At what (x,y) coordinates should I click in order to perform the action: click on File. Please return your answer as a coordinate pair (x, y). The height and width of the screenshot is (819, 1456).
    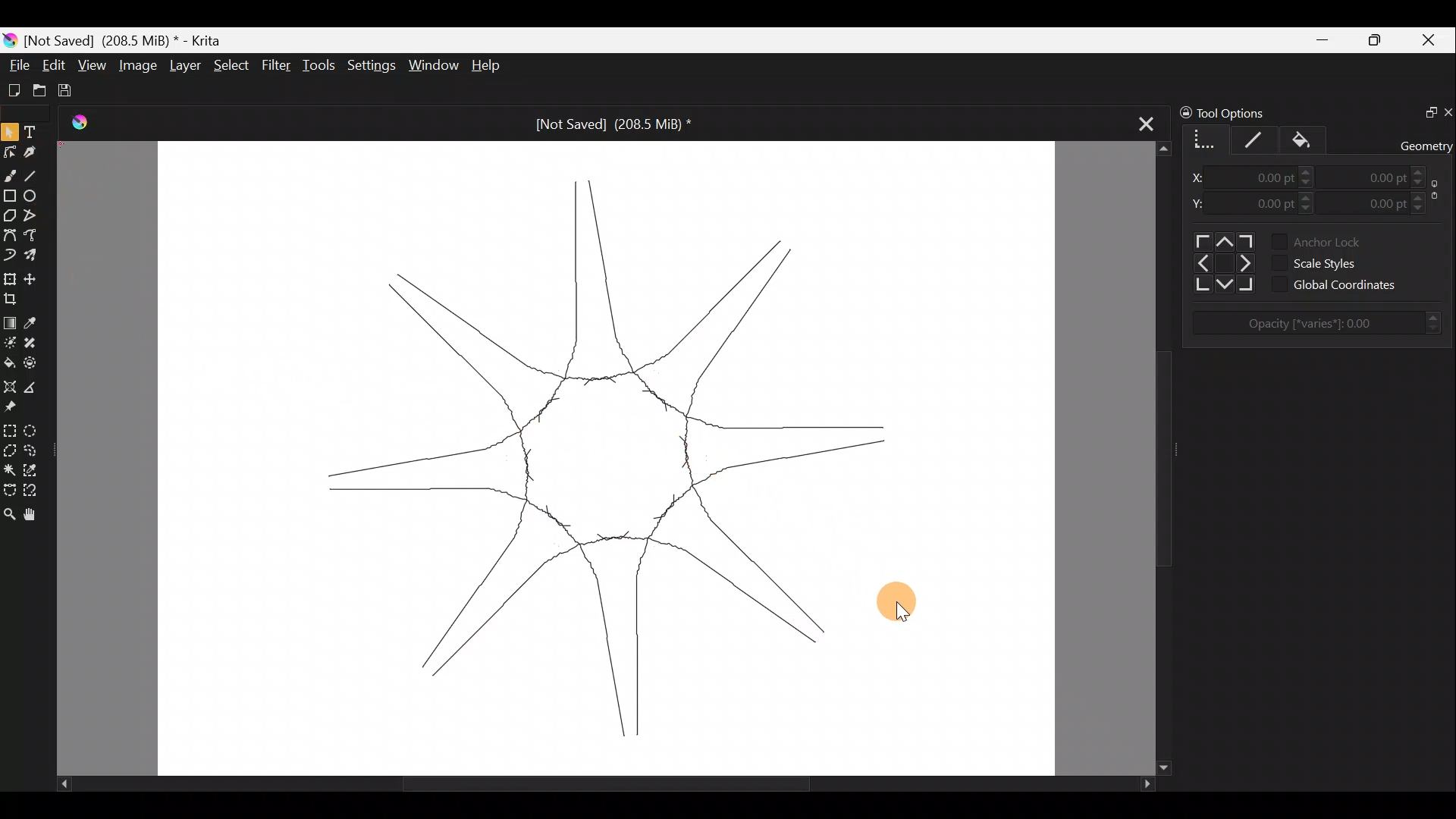
    Looking at the image, I should click on (14, 67).